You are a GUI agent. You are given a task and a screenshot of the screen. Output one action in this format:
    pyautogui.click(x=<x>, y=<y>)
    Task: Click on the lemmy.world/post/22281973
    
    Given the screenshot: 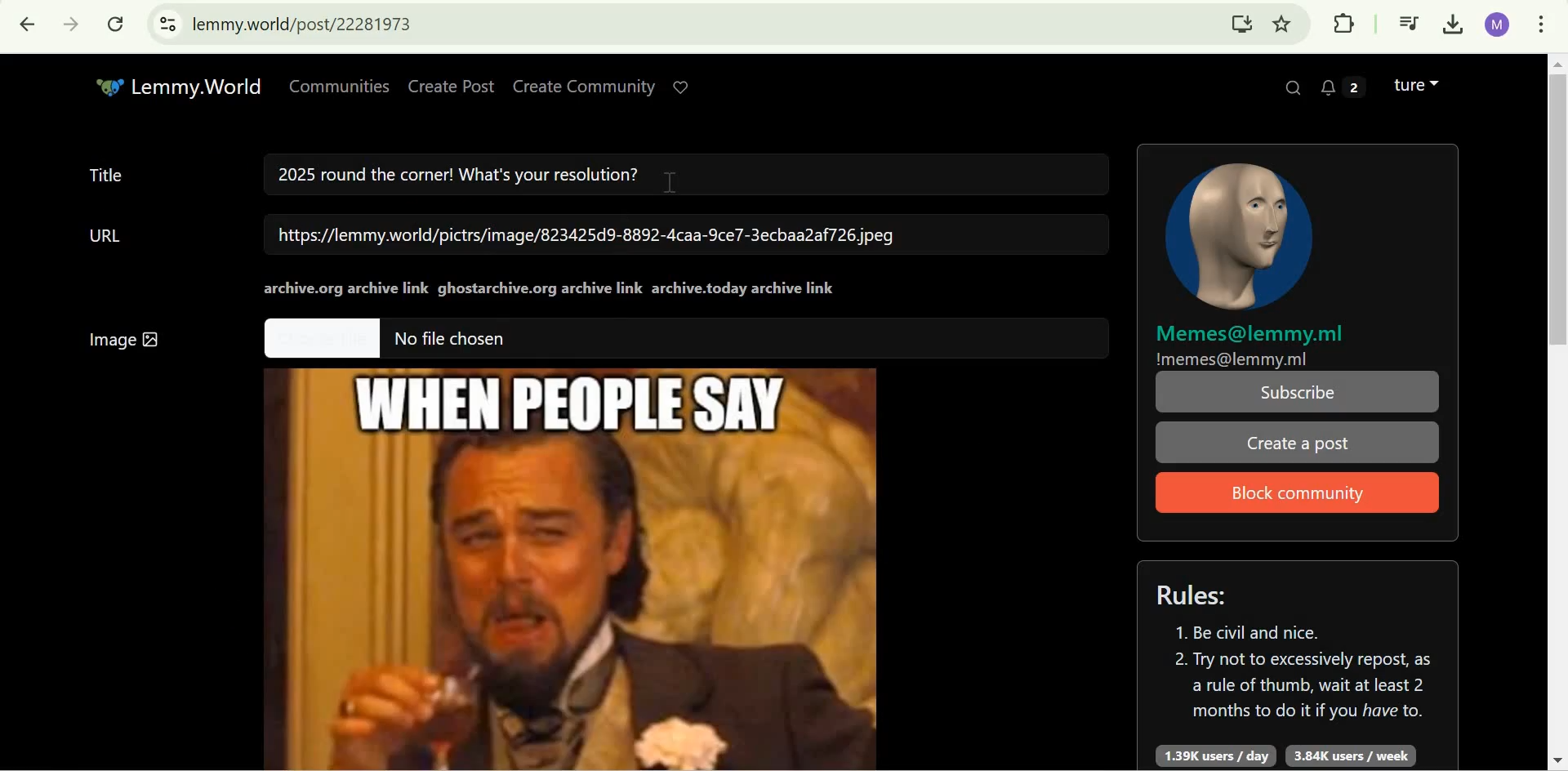 What is the action you would take?
    pyautogui.click(x=305, y=24)
    